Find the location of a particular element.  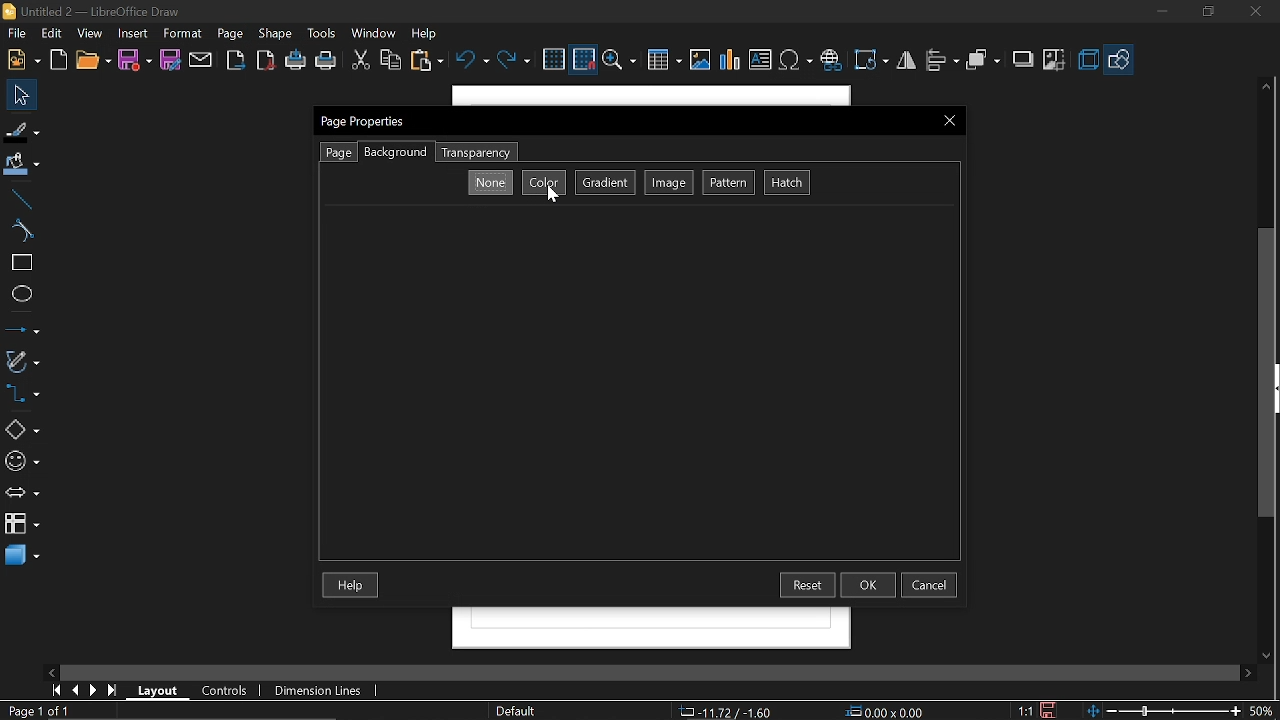

View is located at coordinates (89, 35).